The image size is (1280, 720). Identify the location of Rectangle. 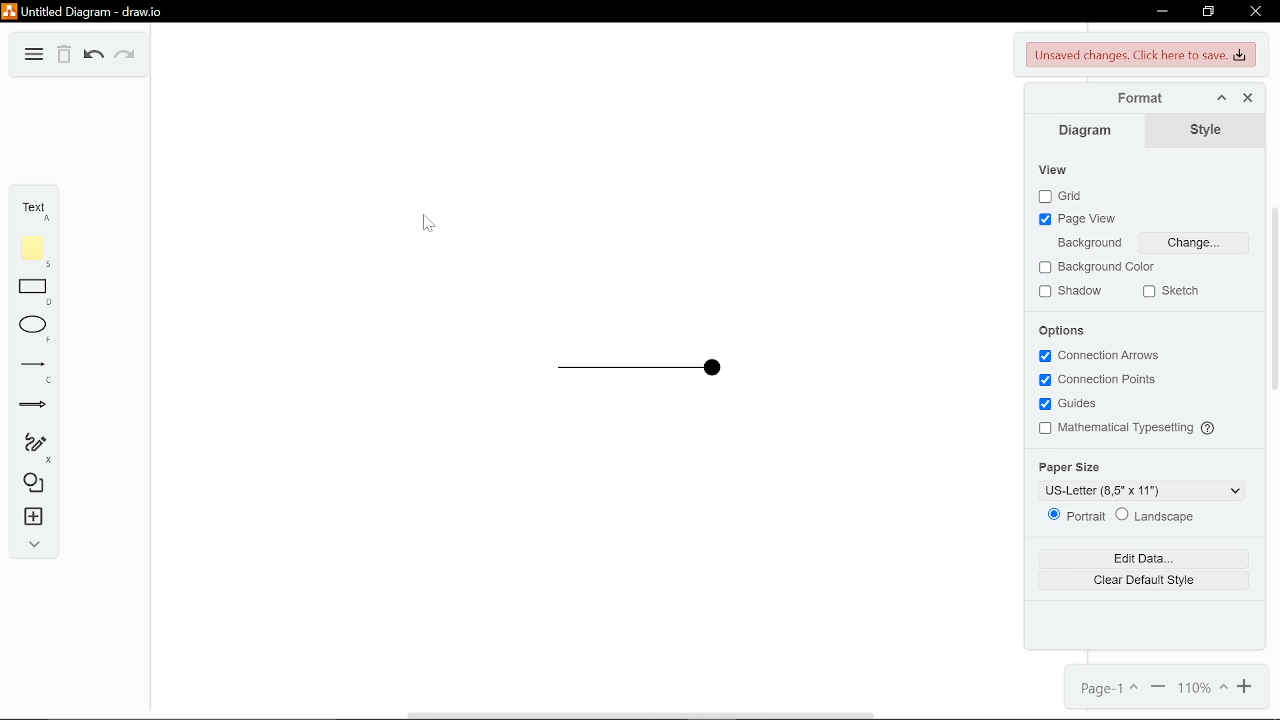
(34, 292).